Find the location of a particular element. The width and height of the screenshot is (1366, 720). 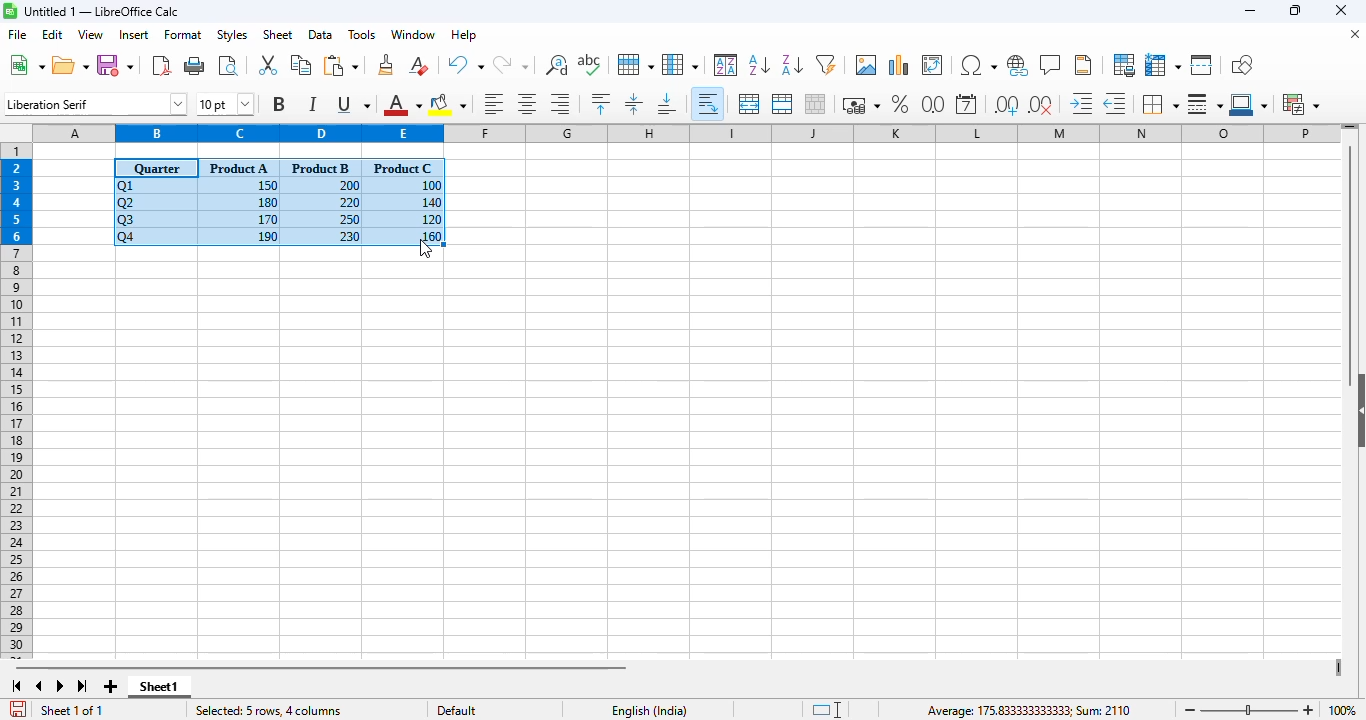

cursor is located at coordinates (424, 249).